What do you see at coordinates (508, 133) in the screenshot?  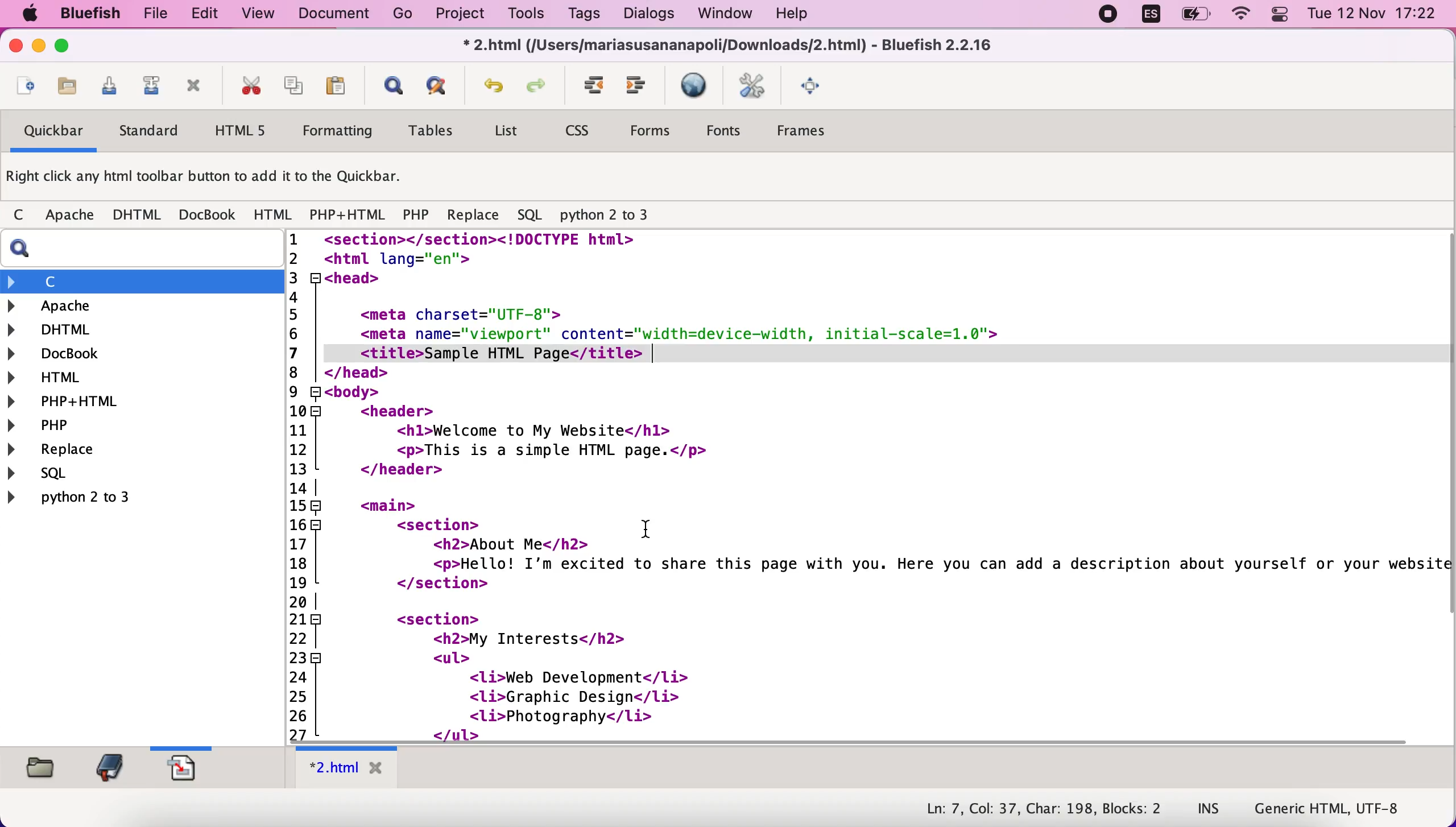 I see `list` at bounding box center [508, 133].